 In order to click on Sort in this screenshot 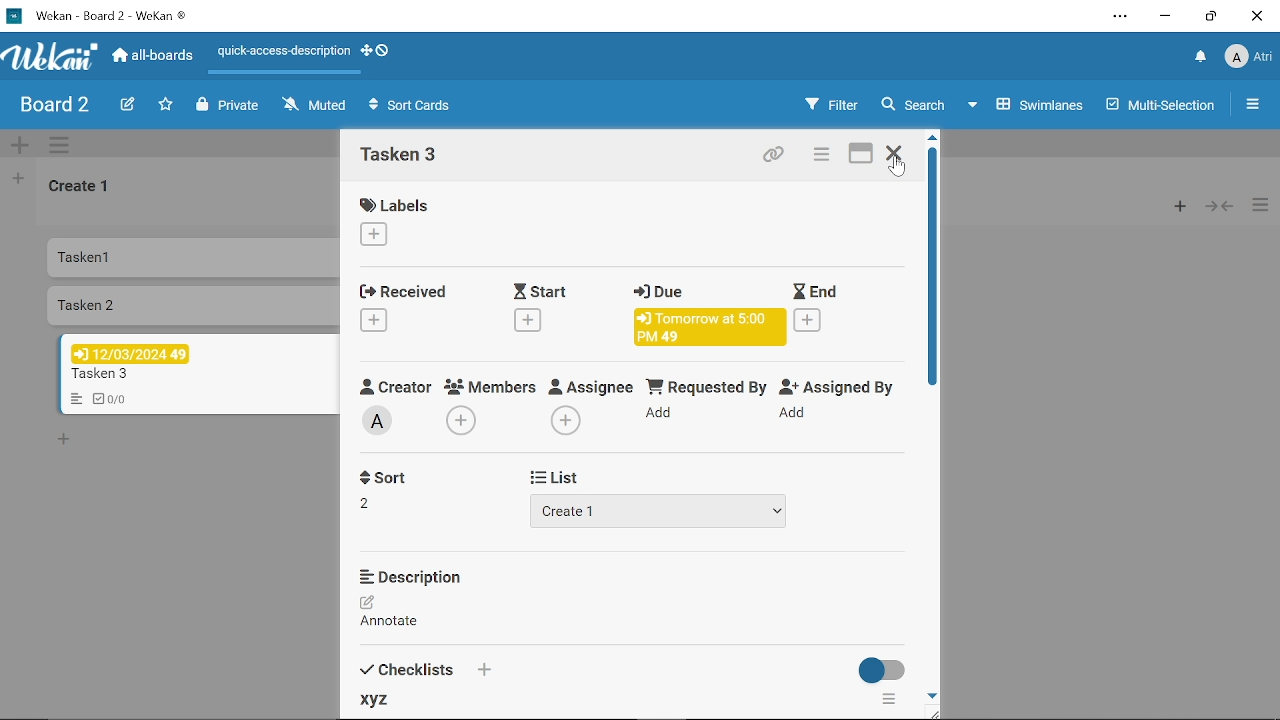, I will do `click(383, 478)`.